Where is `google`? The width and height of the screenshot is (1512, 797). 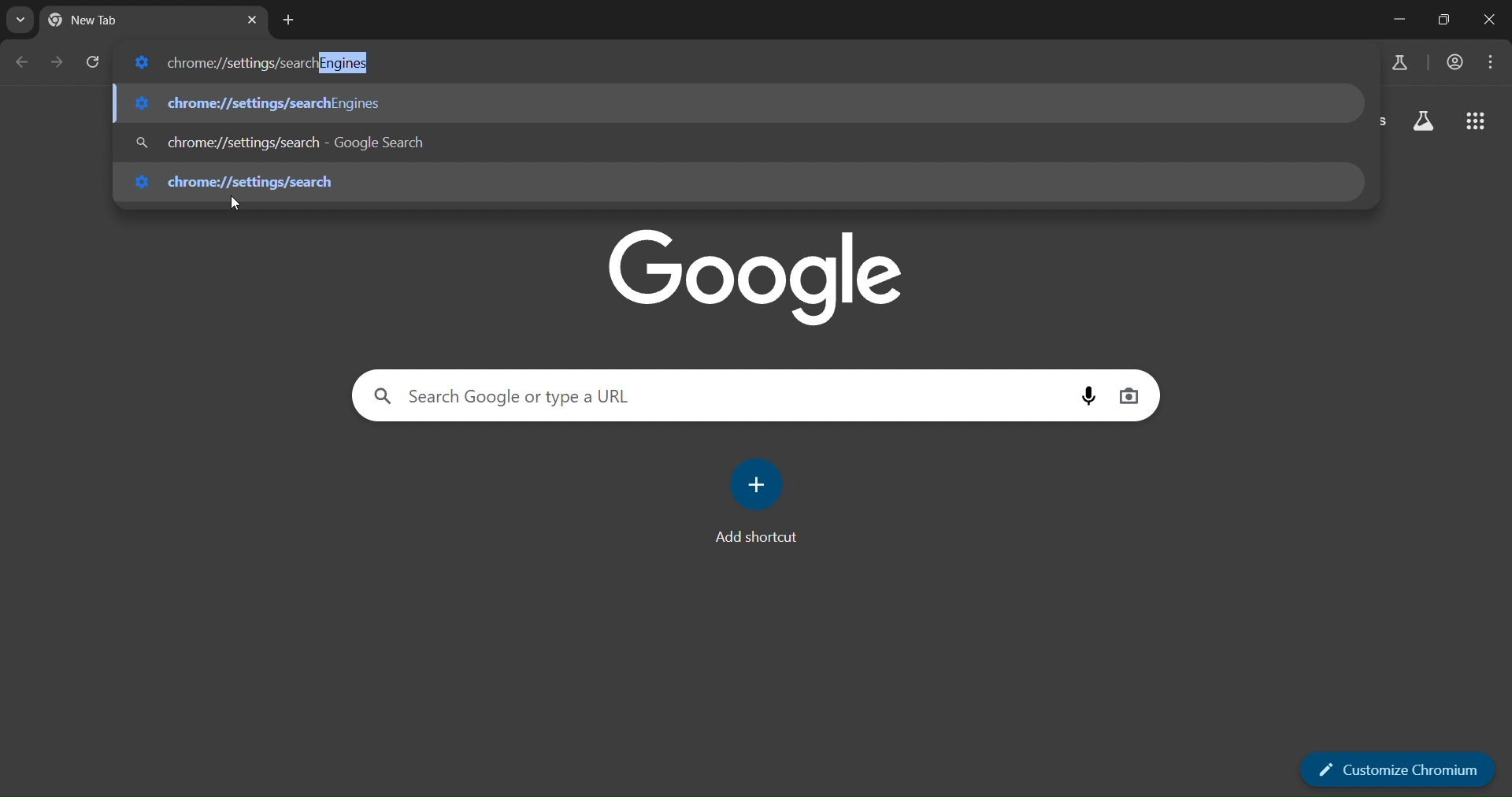 google is located at coordinates (755, 276).